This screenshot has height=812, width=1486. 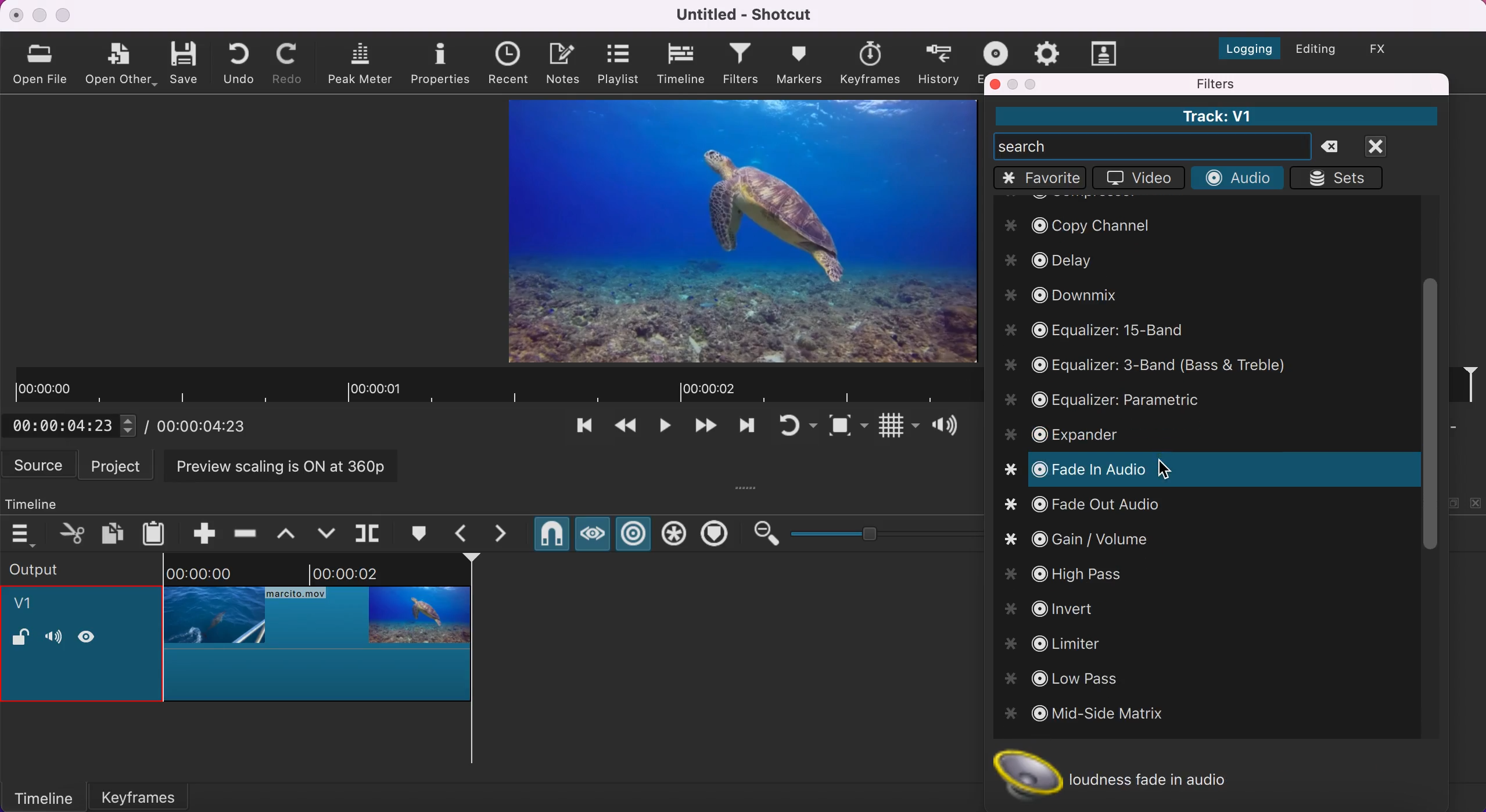 I want to click on hide, so click(x=91, y=636).